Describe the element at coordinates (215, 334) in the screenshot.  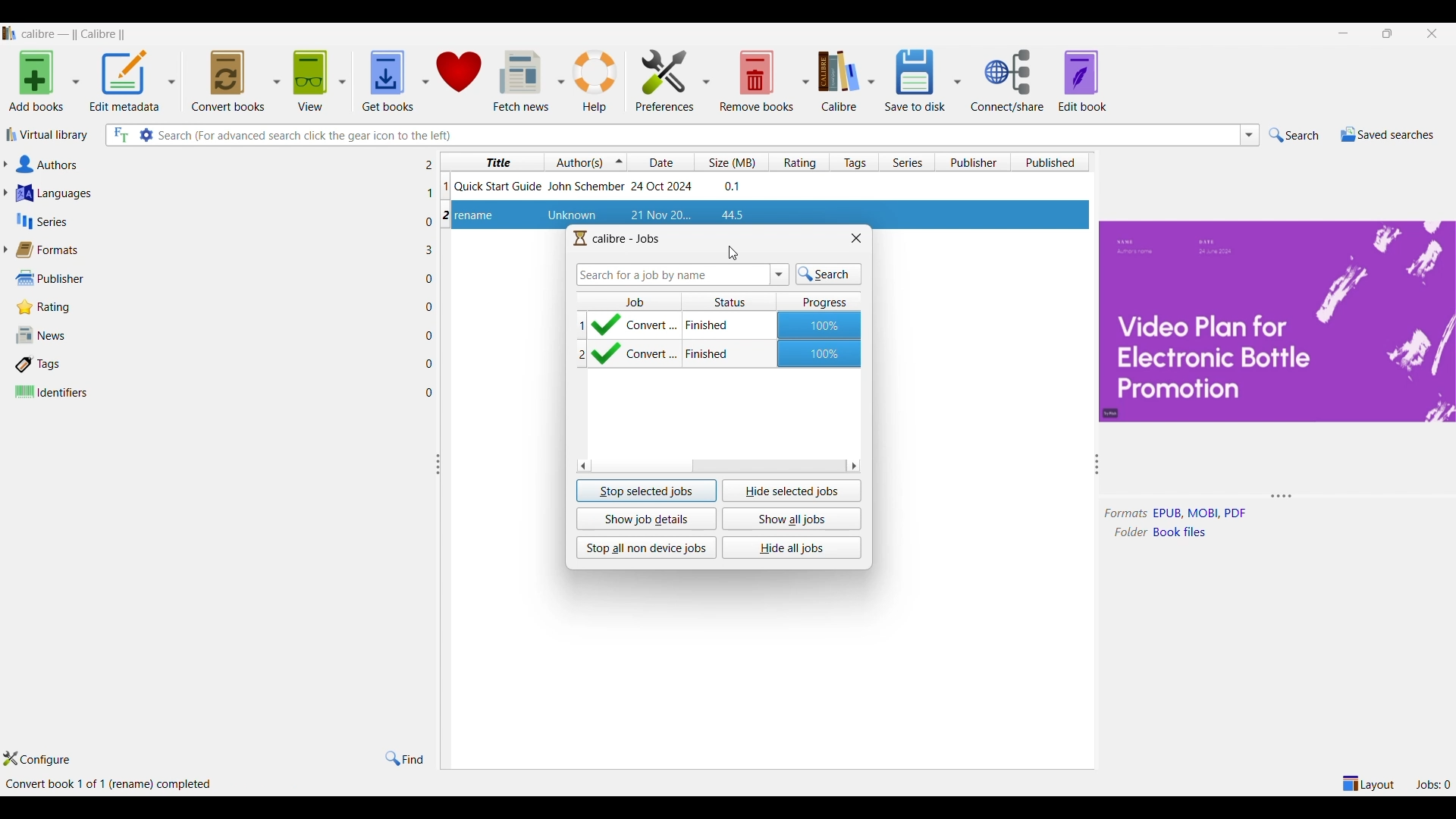
I see `News` at that location.